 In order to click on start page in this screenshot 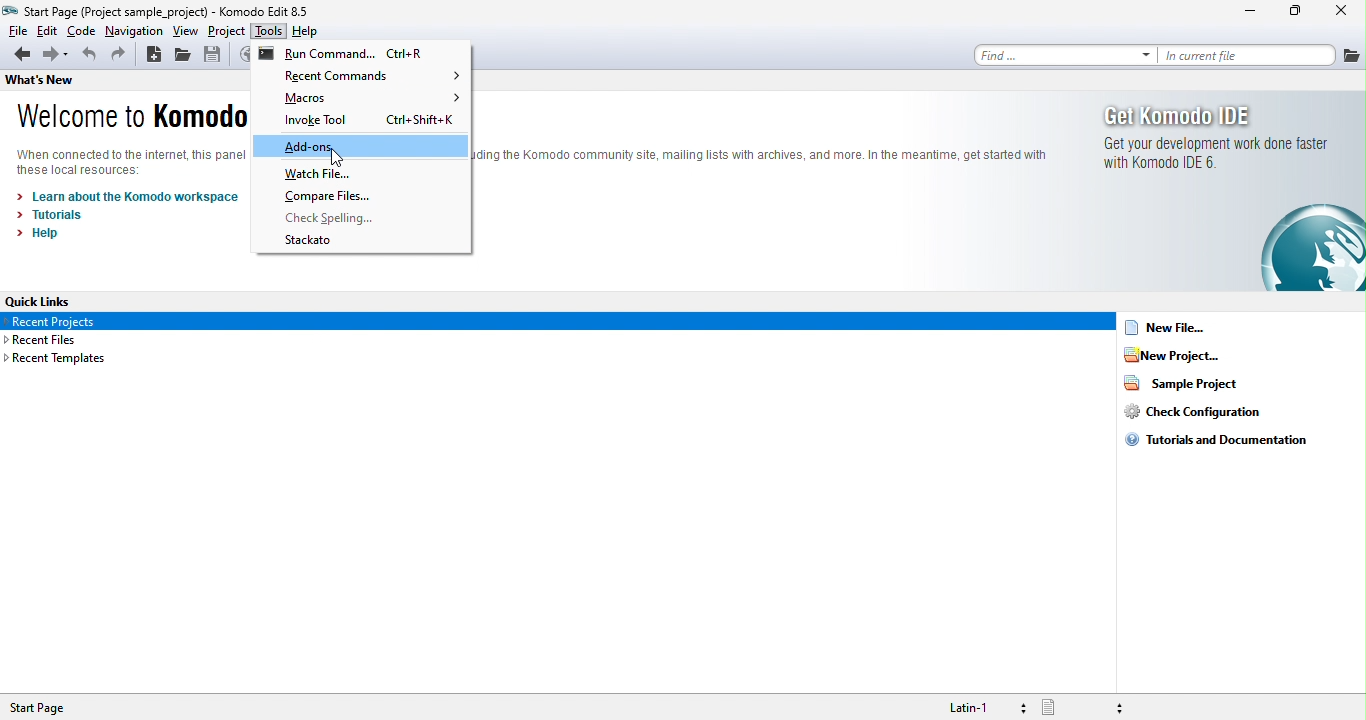, I will do `click(47, 708)`.